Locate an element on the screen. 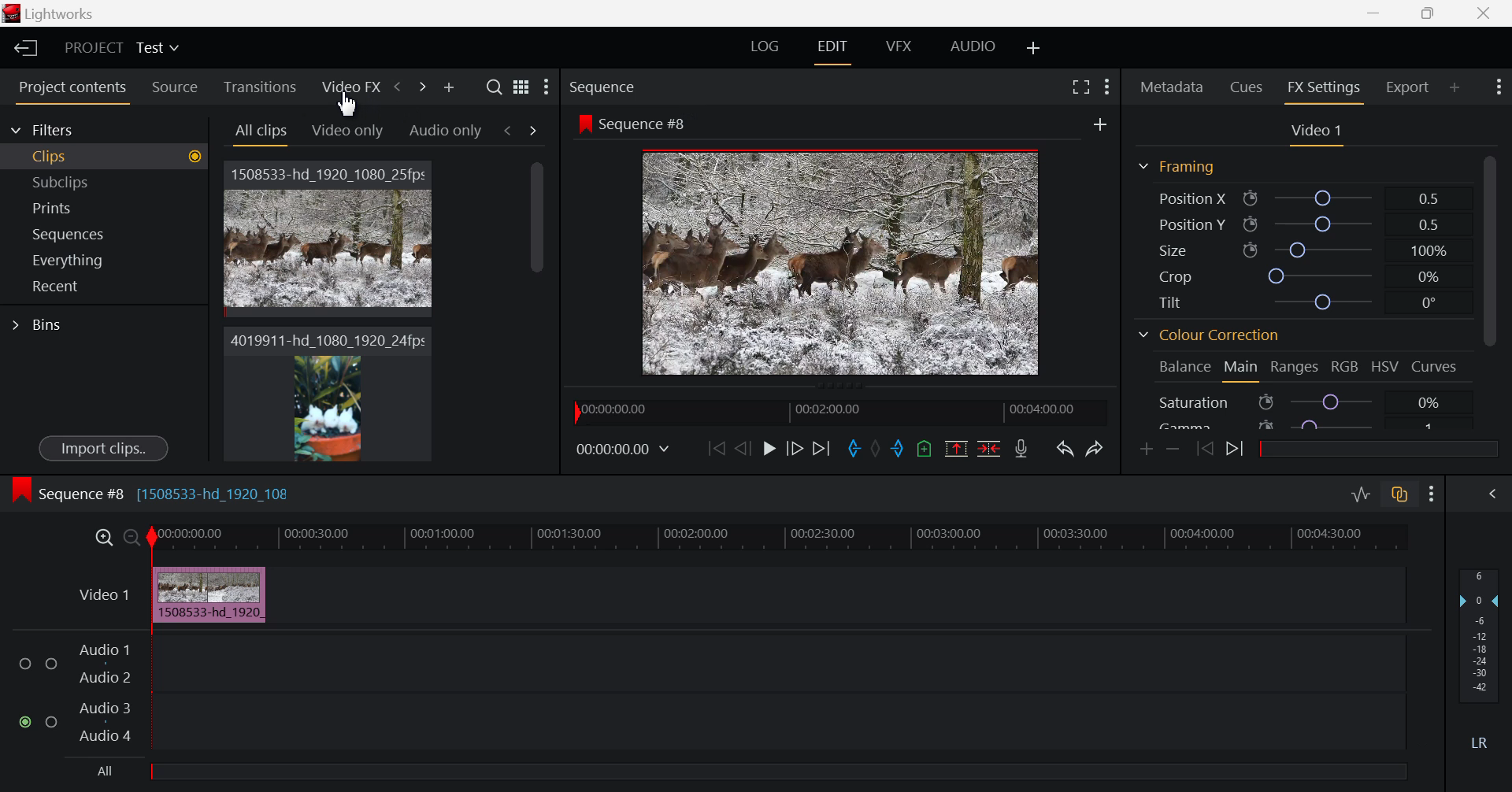 This screenshot has height=792, width=1512. Sequence #8 Preview Screen is located at coordinates (842, 264).